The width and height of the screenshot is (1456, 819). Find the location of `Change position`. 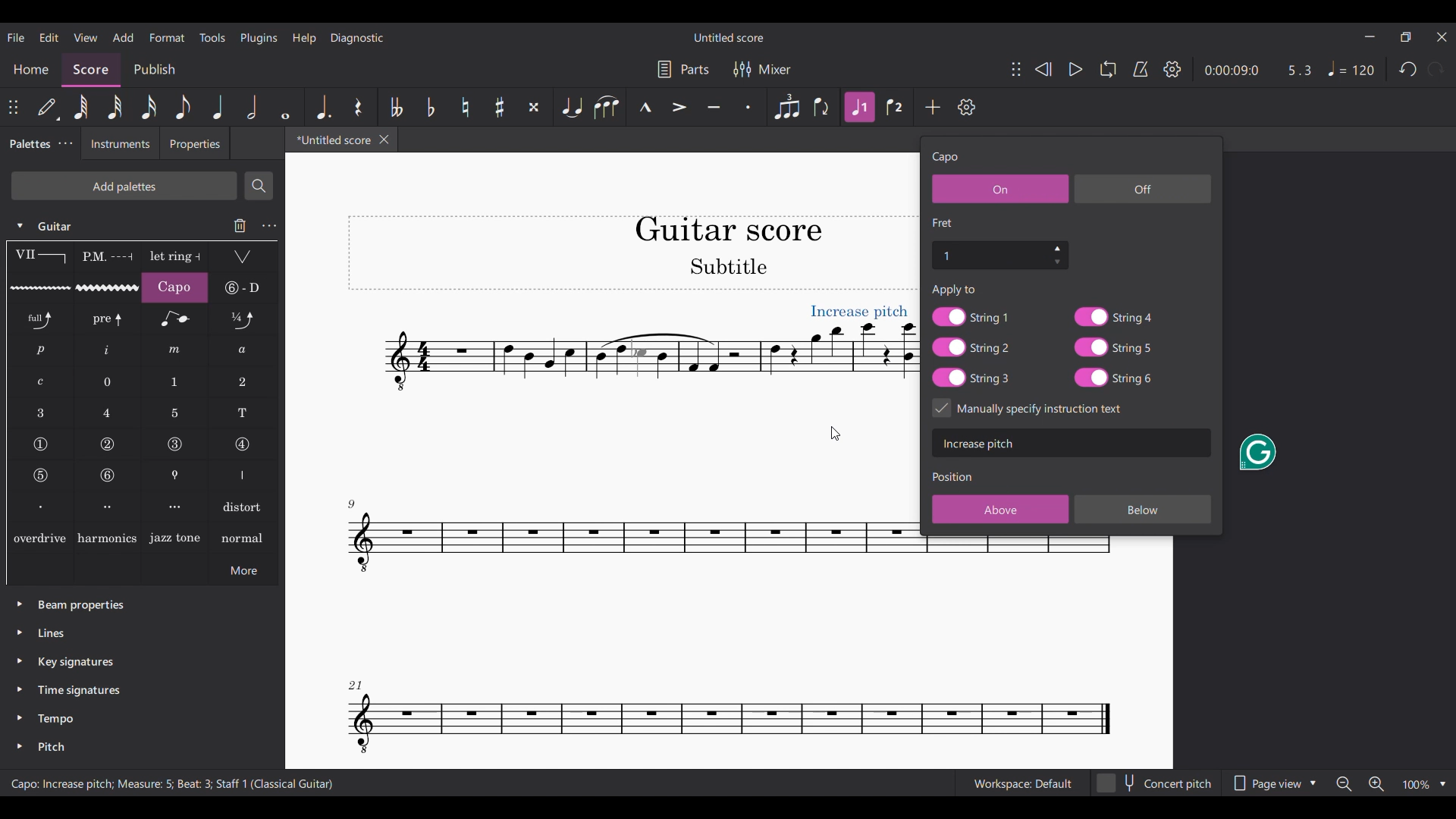

Change position is located at coordinates (1016, 69).